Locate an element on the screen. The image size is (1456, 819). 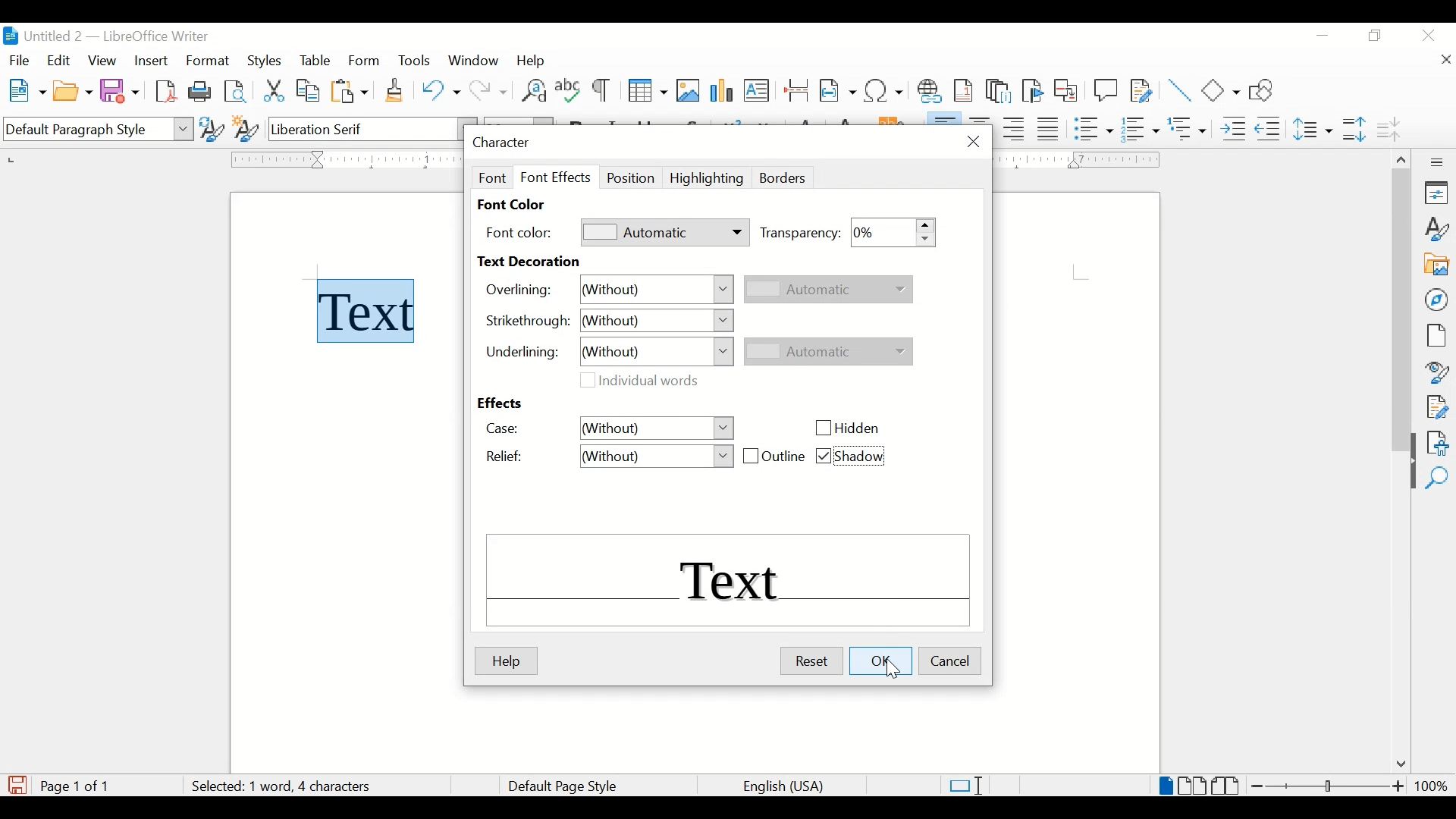
justify is located at coordinates (1049, 129).